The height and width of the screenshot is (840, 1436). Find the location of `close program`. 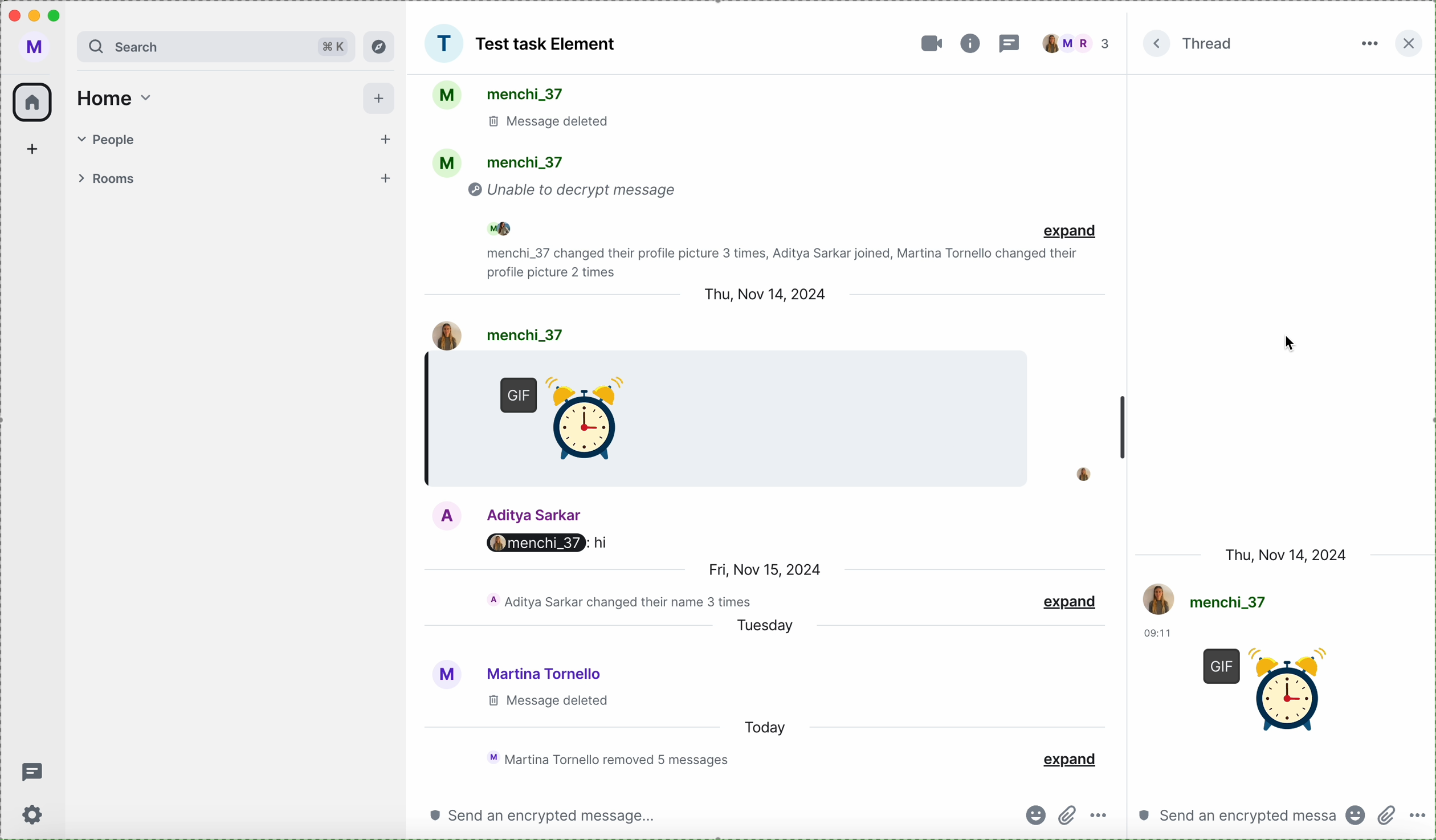

close program is located at coordinates (13, 15).